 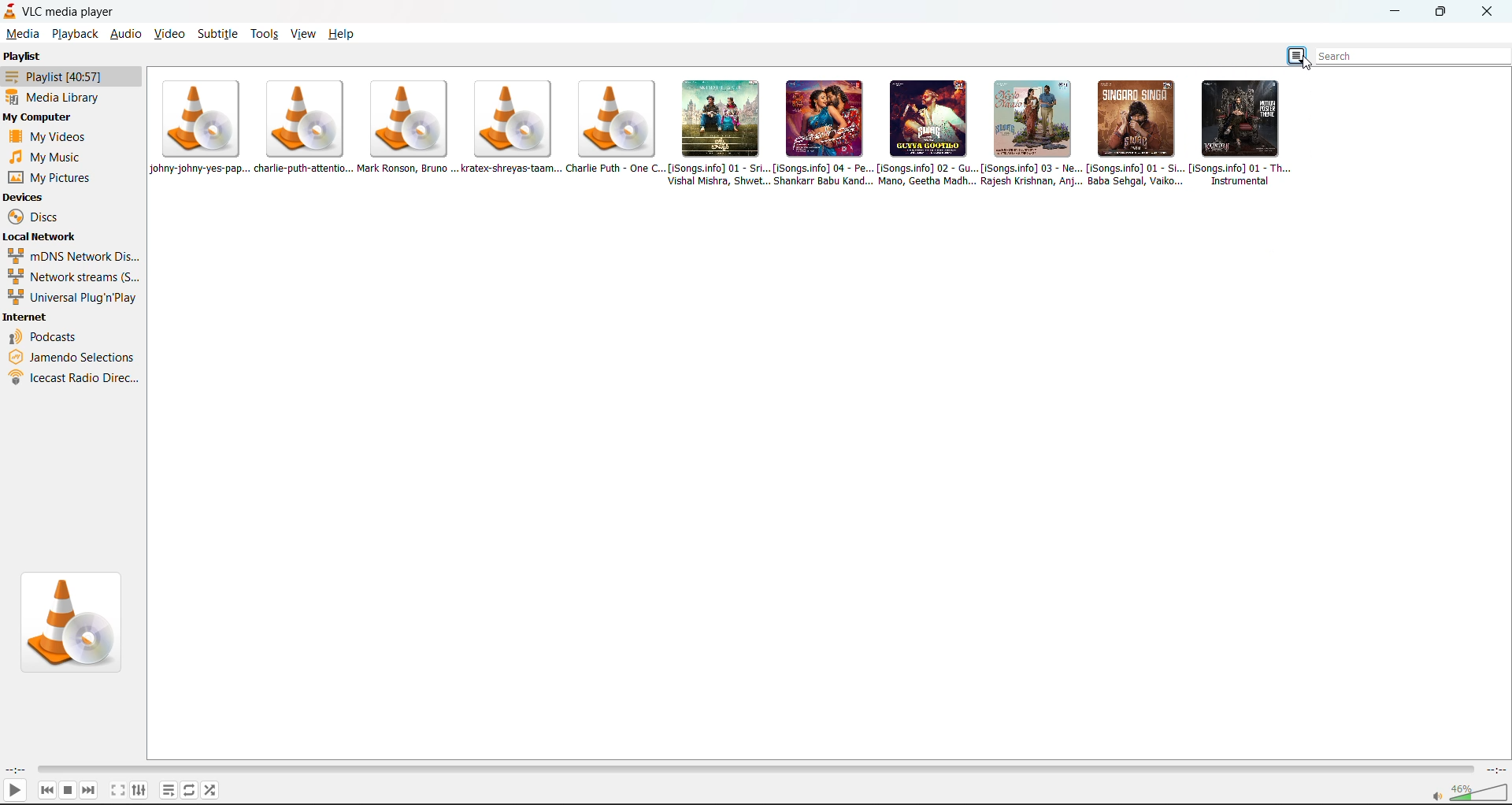 I want to click on random, so click(x=211, y=789).